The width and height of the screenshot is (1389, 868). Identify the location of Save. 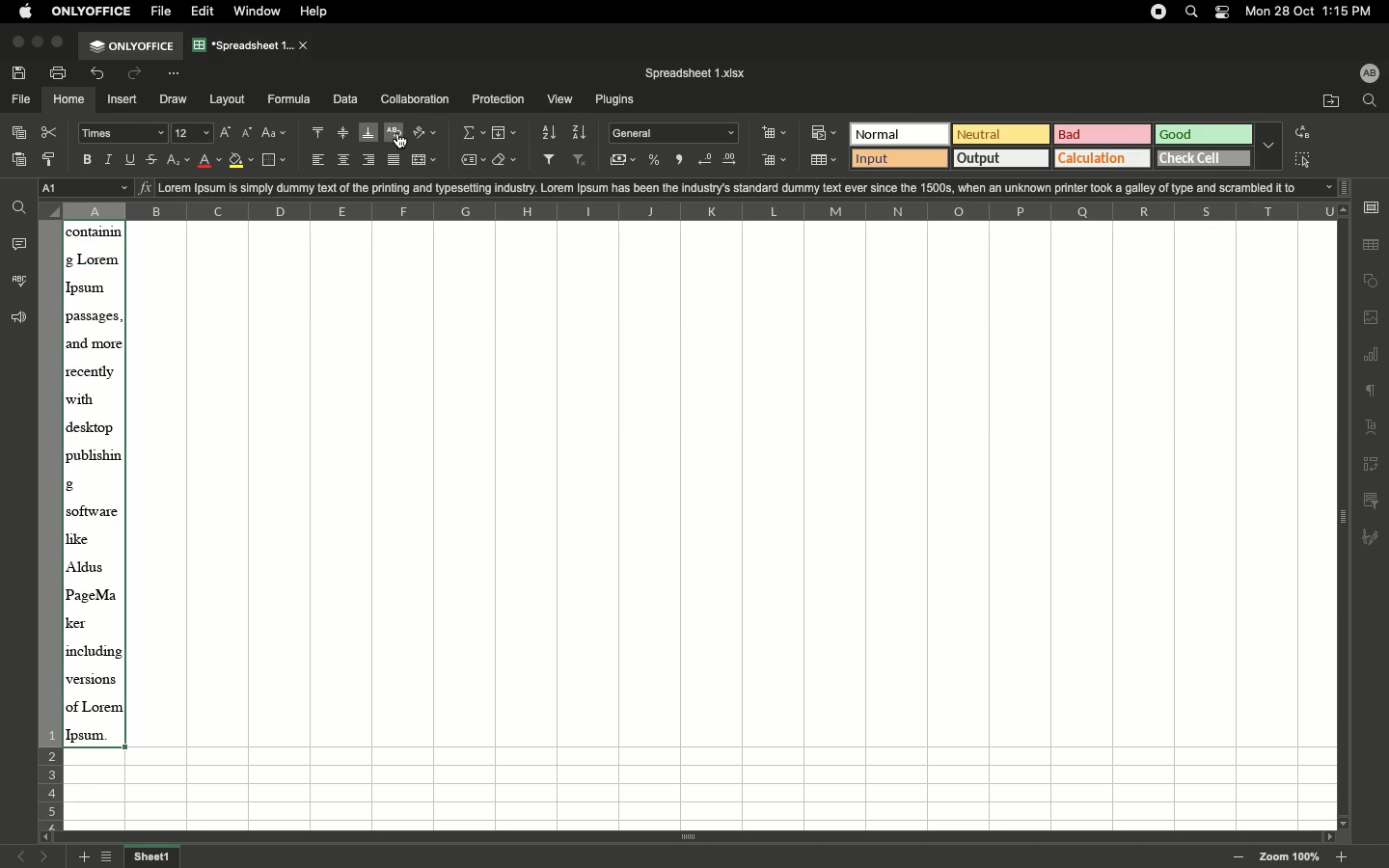
(22, 73).